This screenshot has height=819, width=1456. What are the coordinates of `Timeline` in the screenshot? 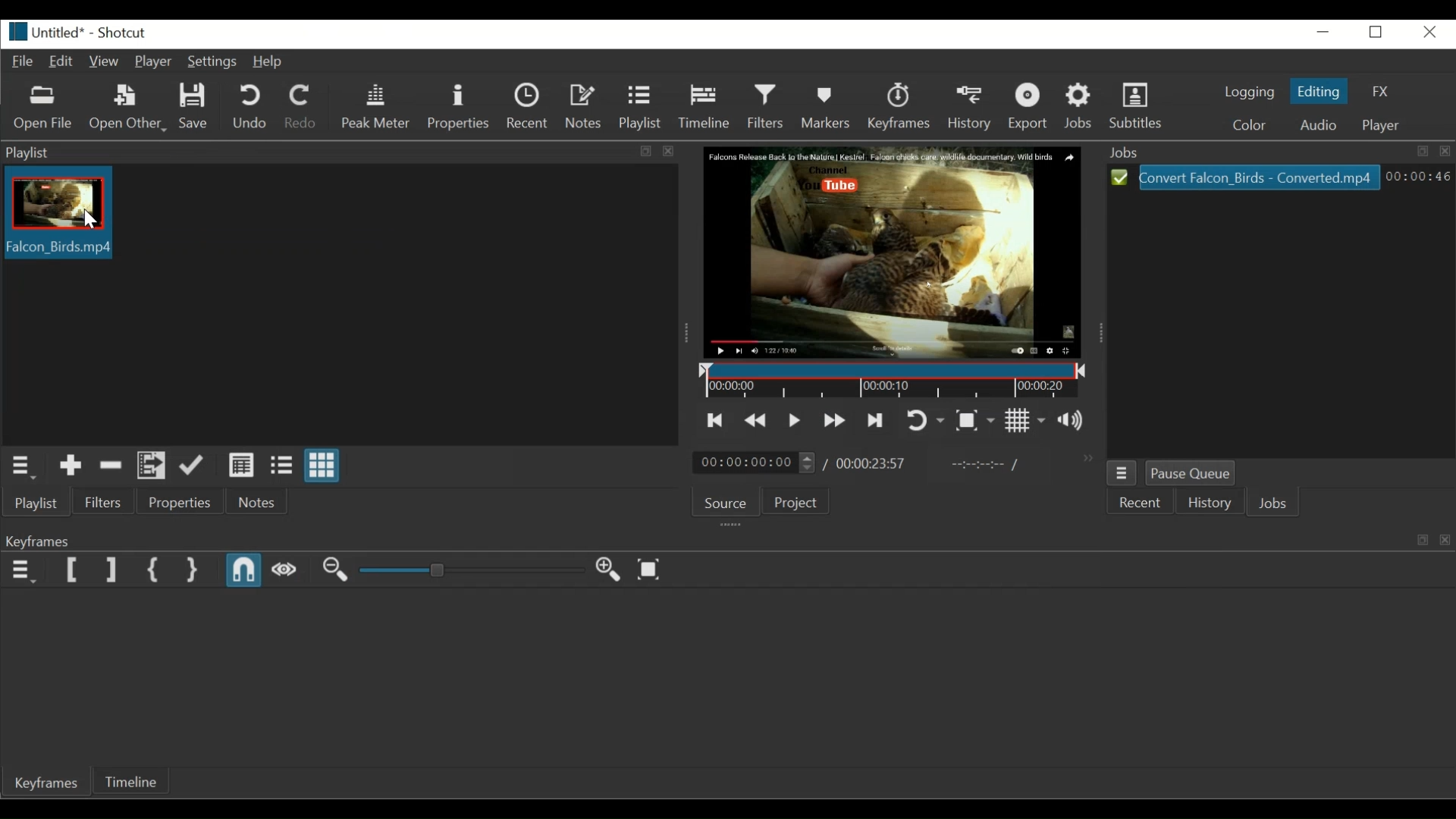 It's located at (706, 108).